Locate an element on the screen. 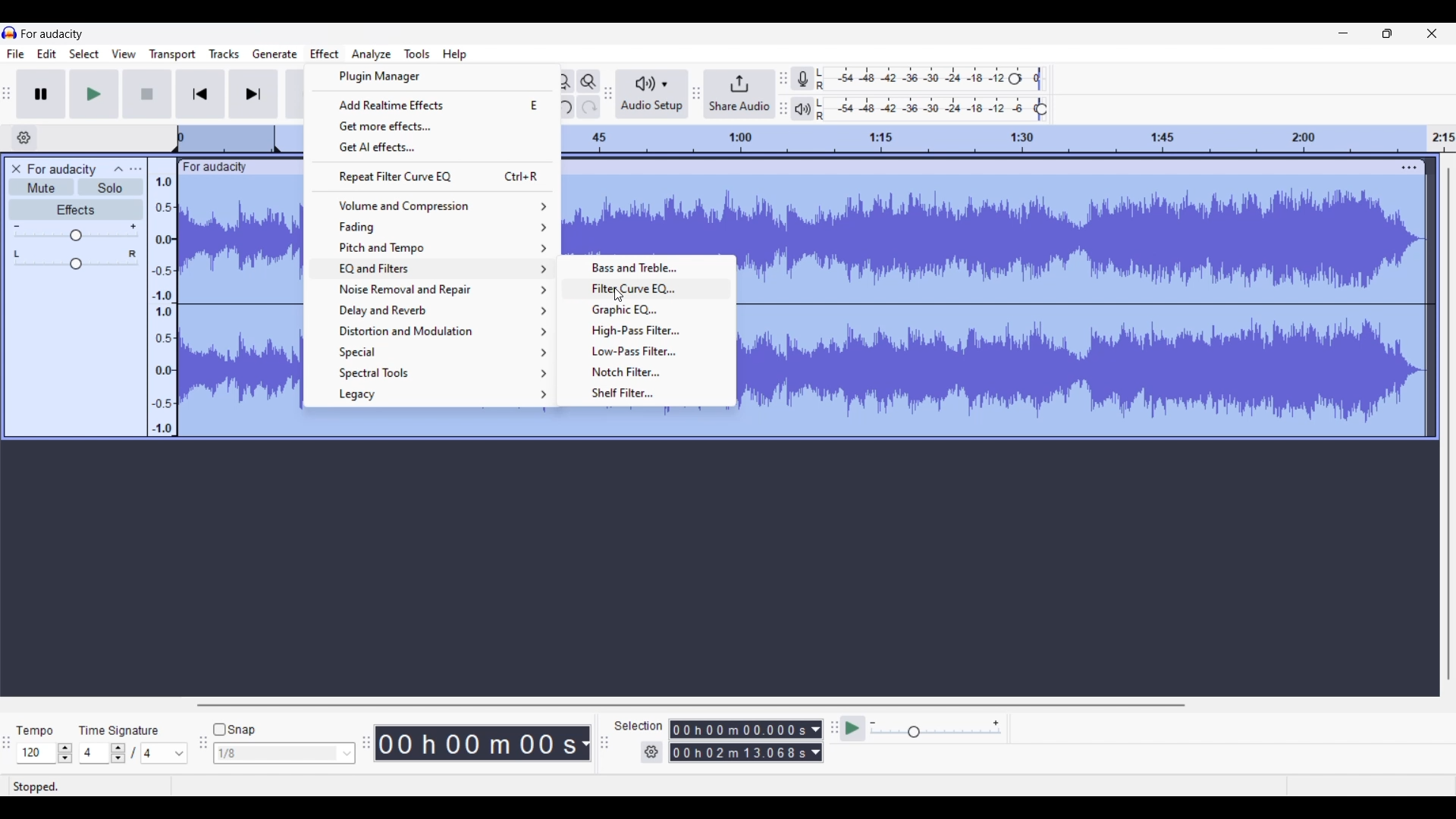  Solo is located at coordinates (111, 187).